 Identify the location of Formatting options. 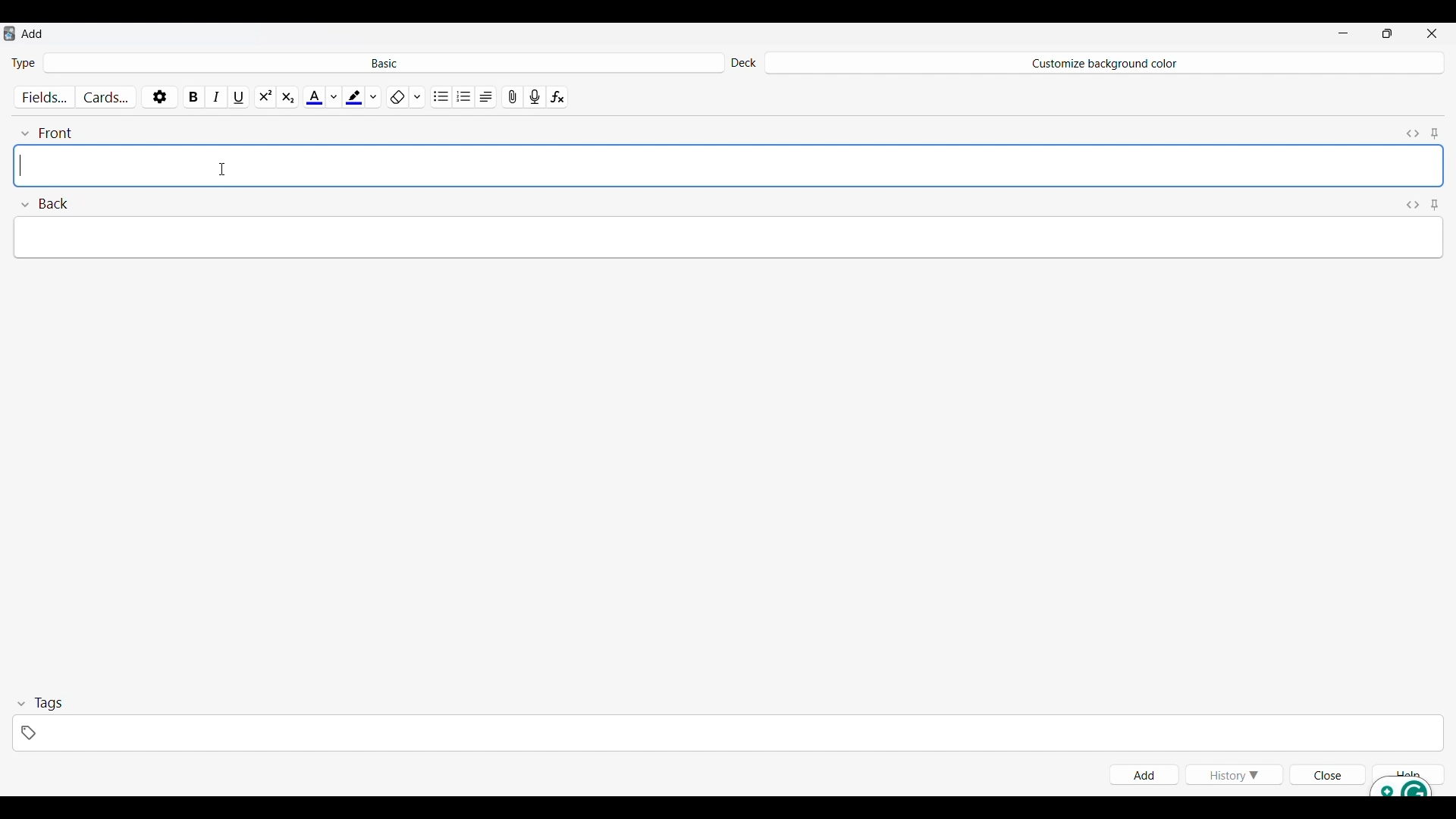
(417, 94).